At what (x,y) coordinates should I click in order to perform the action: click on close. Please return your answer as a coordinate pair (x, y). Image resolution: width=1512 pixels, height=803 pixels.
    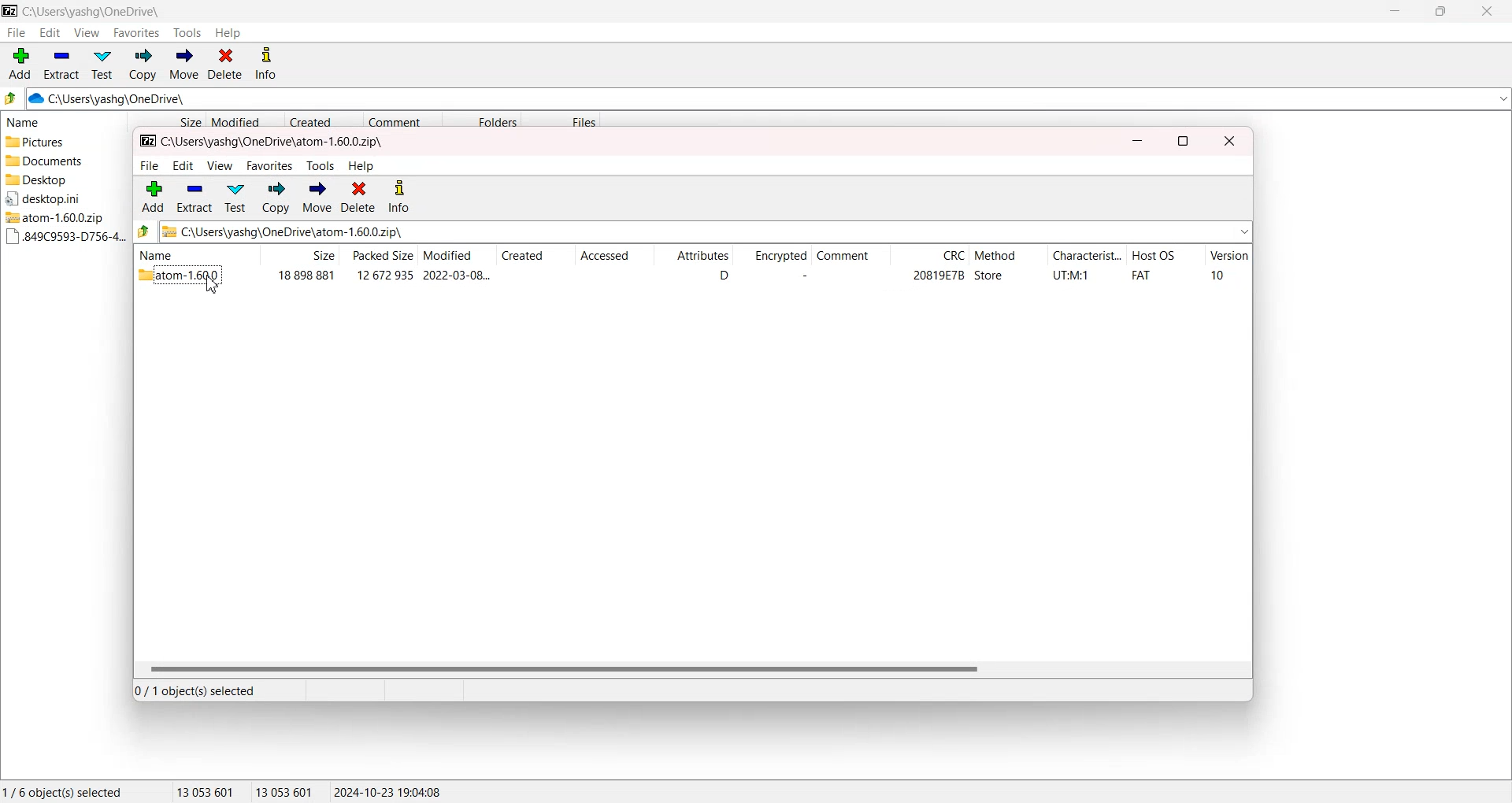
    Looking at the image, I should click on (1230, 142).